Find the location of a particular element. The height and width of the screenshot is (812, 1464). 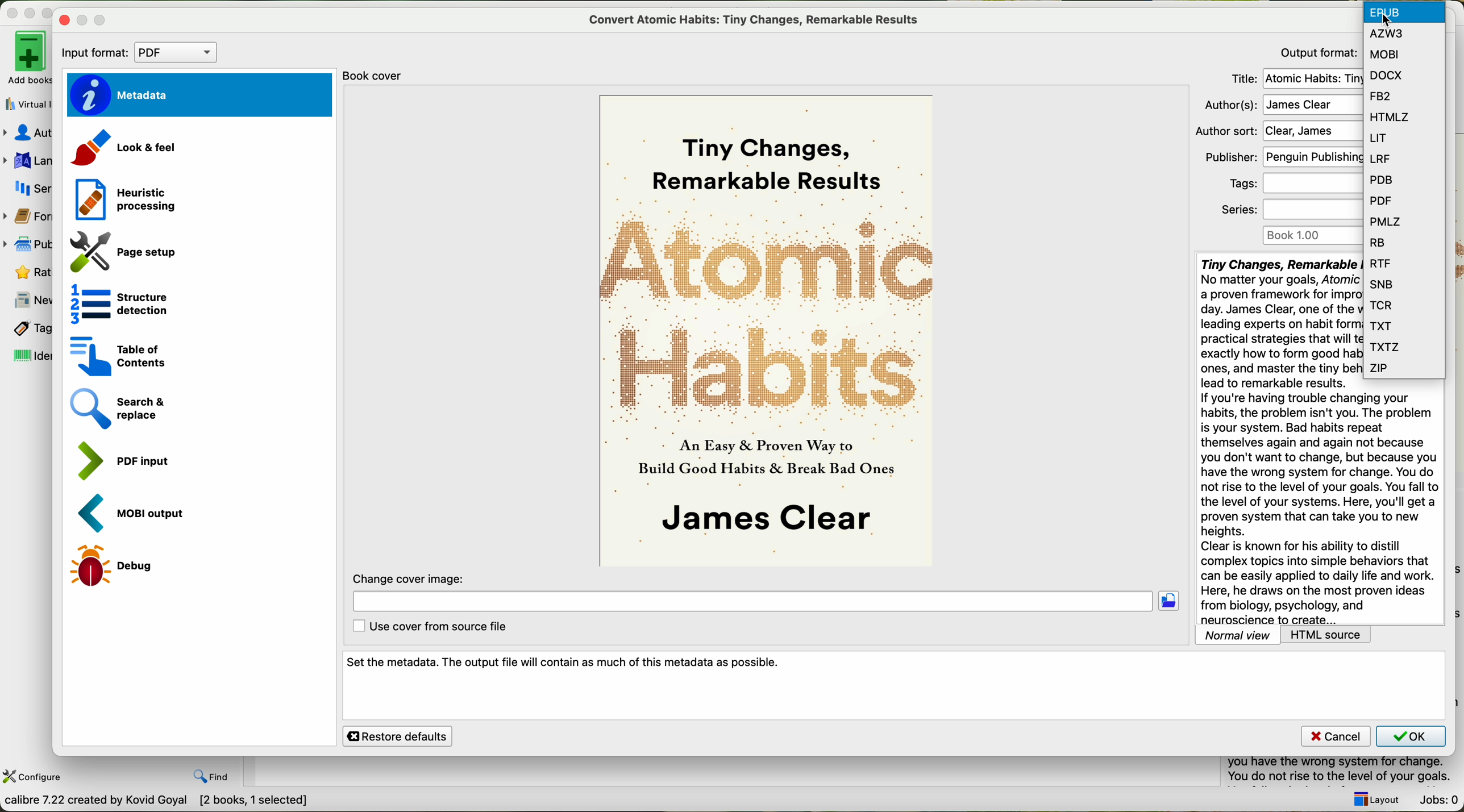

OK button is located at coordinates (1411, 736).